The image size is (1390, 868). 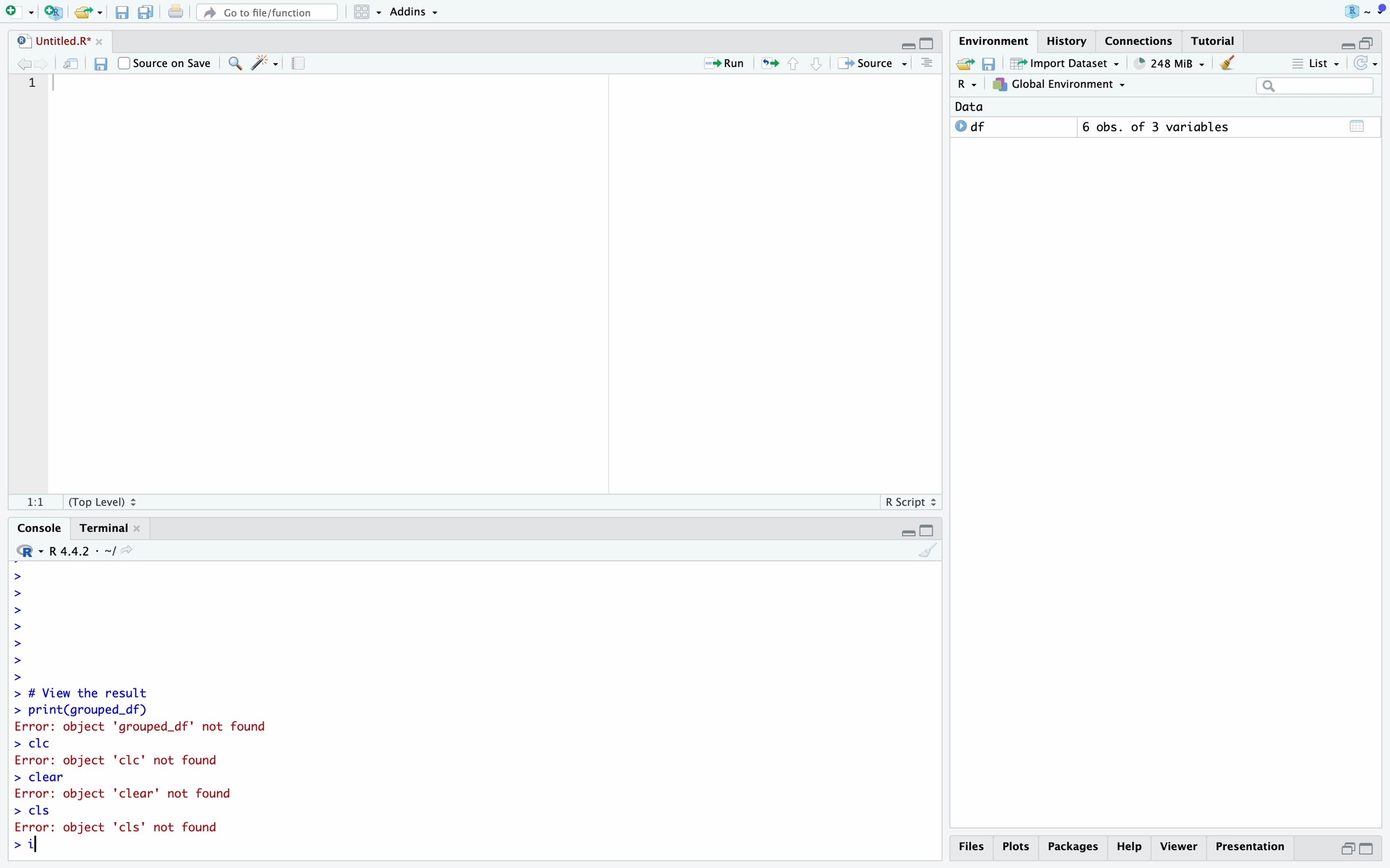 What do you see at coordinates (974, 847) in the screenshot?
I see `Files` at bounding box center [974, 847].